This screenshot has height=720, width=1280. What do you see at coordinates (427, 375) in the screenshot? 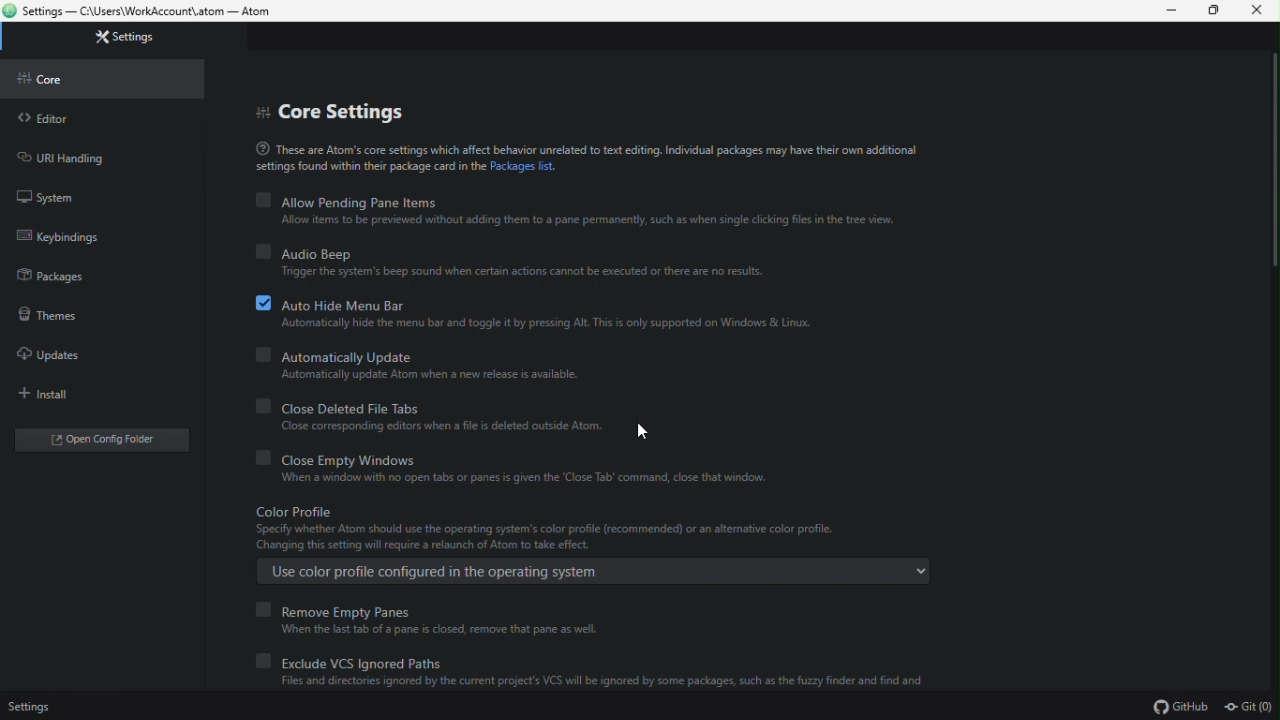
I see `‘Automatically update Atom when a new release is available.` at bounding box center [427, 375].